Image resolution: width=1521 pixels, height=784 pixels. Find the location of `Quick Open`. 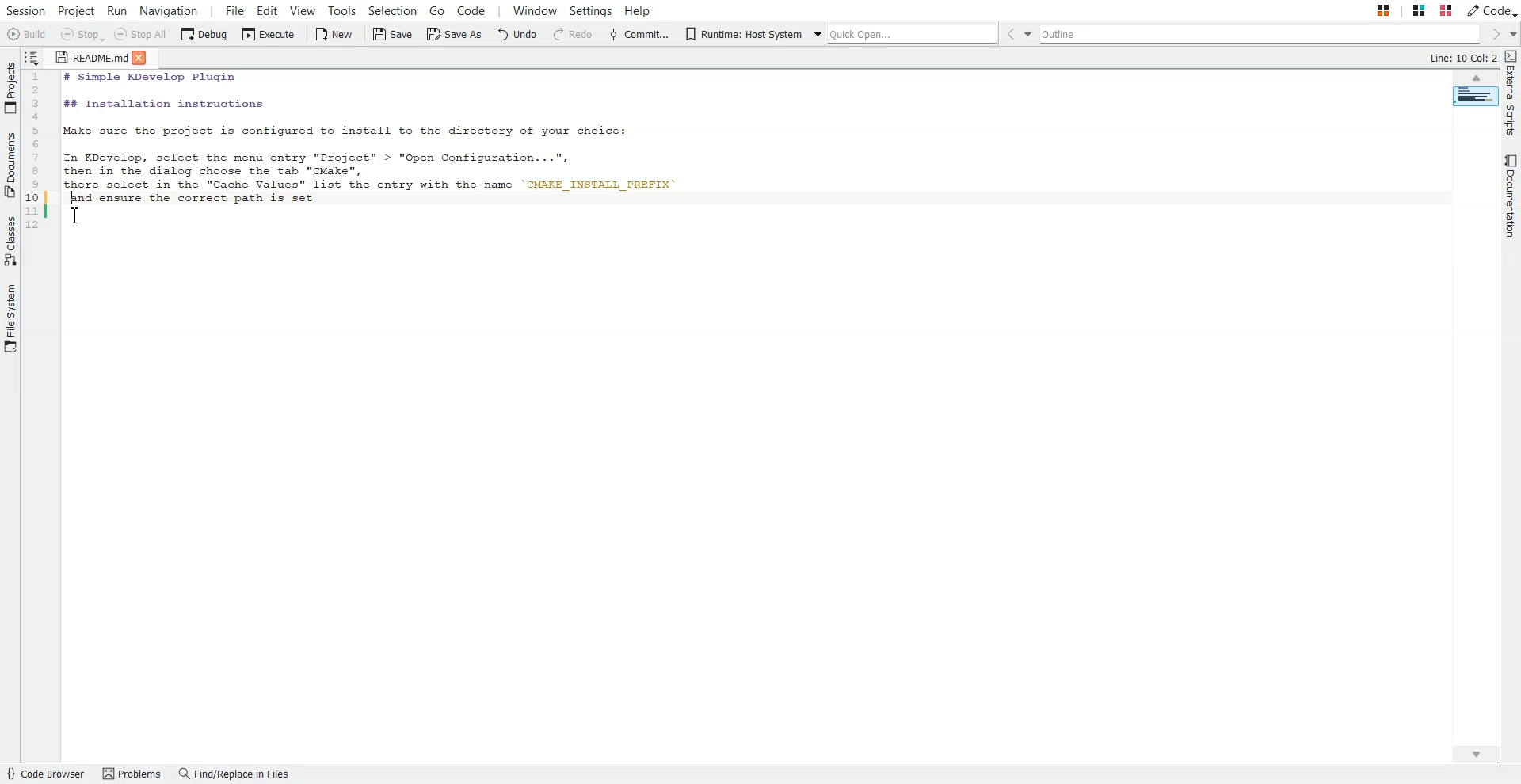

Quick Open is located at coordinates (907, 33).